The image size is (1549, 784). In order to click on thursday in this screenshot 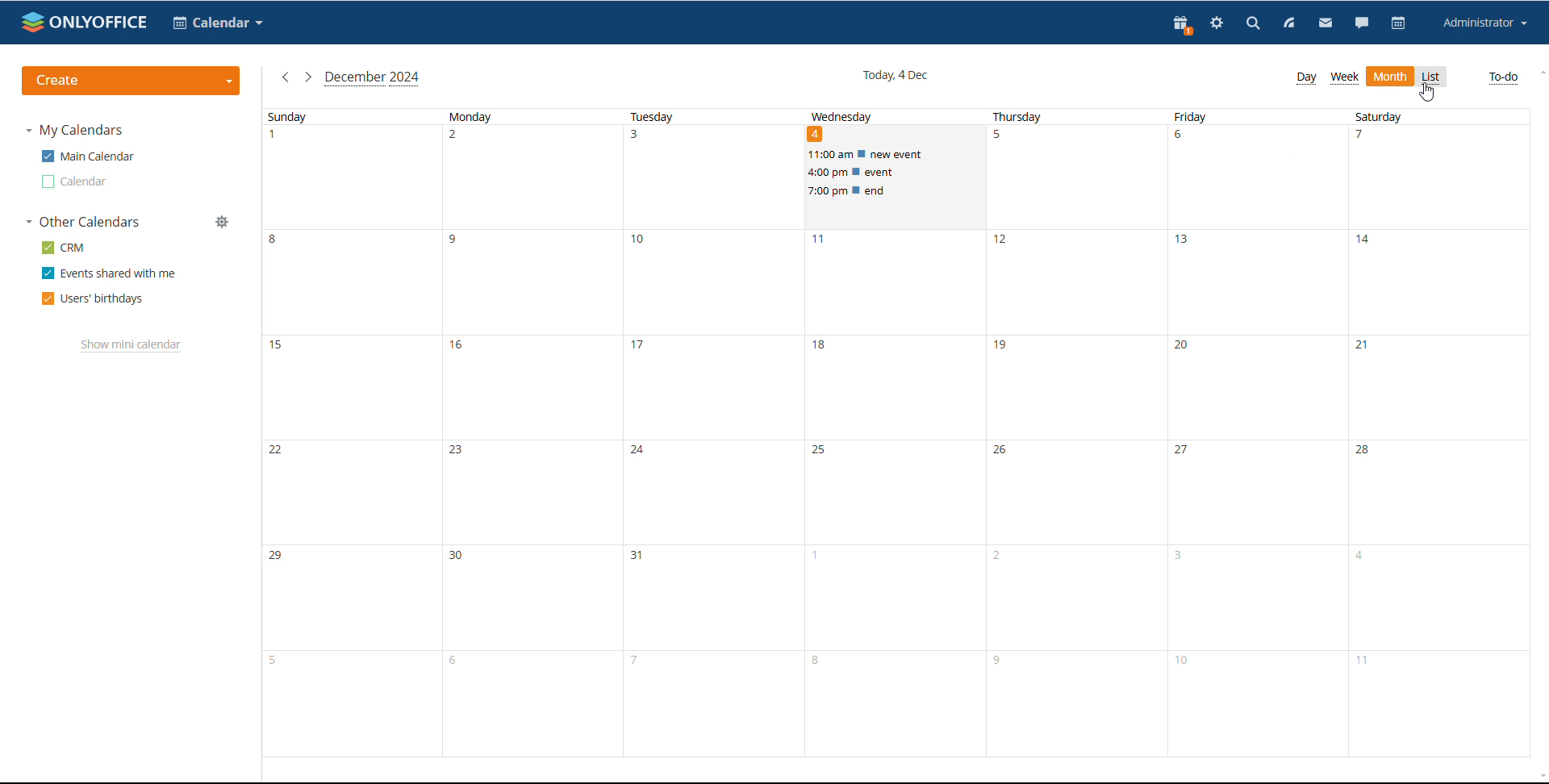, I will do `click(1074, 433)`.